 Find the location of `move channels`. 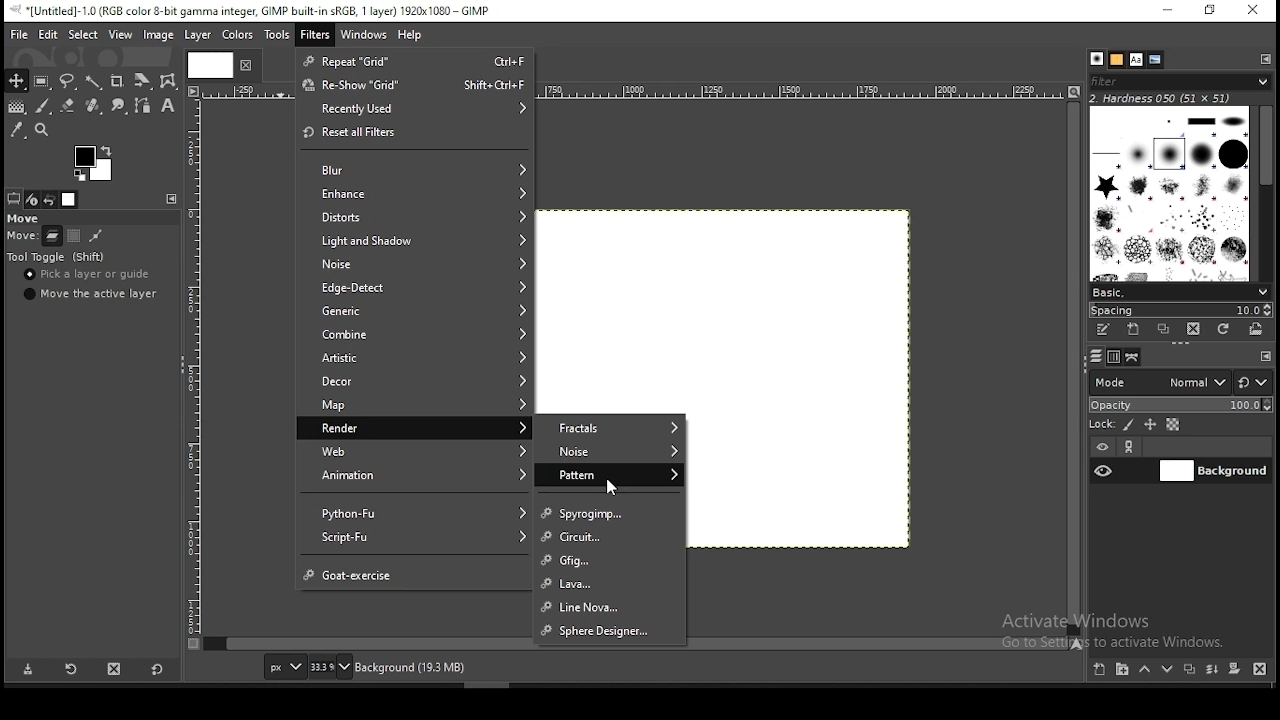

move channels is located at coordinates (75, 235).